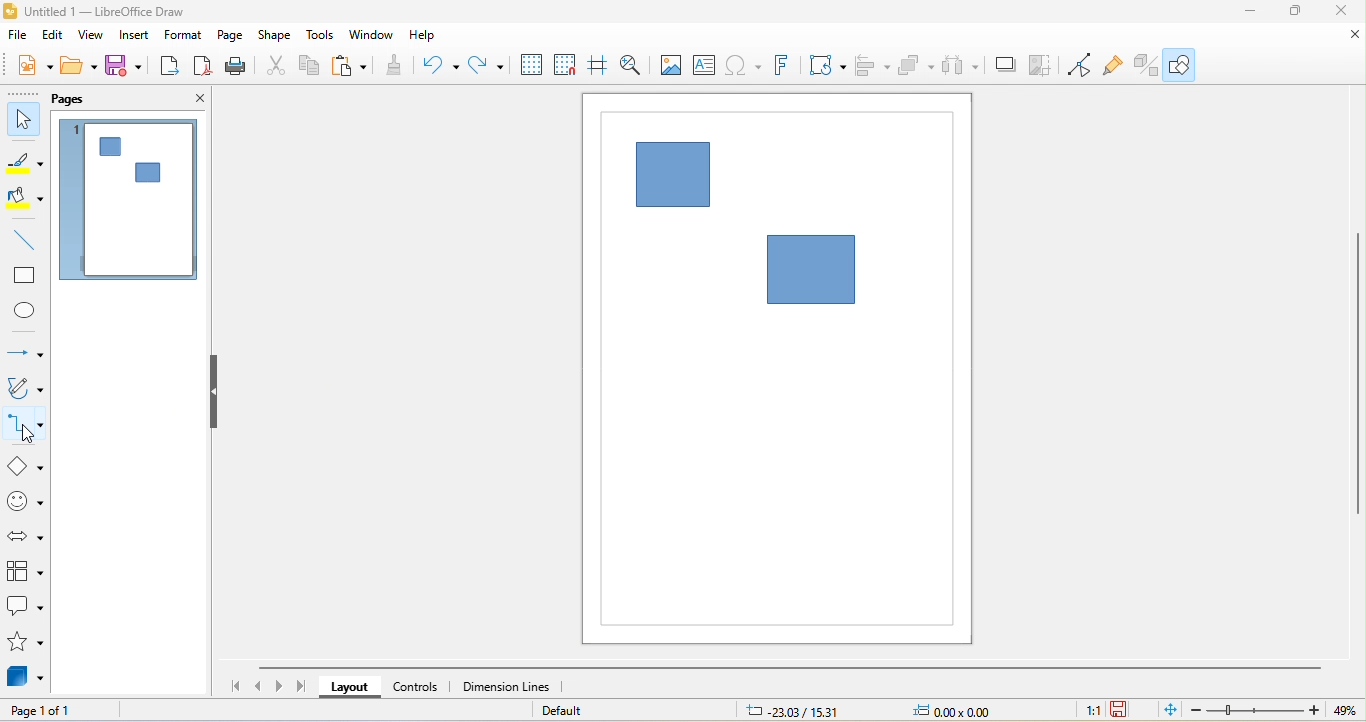 This screenshot has width=1366, height=722. Describe the element at coordinates (213, 392) in the screenshot. I see `hide` at that location.